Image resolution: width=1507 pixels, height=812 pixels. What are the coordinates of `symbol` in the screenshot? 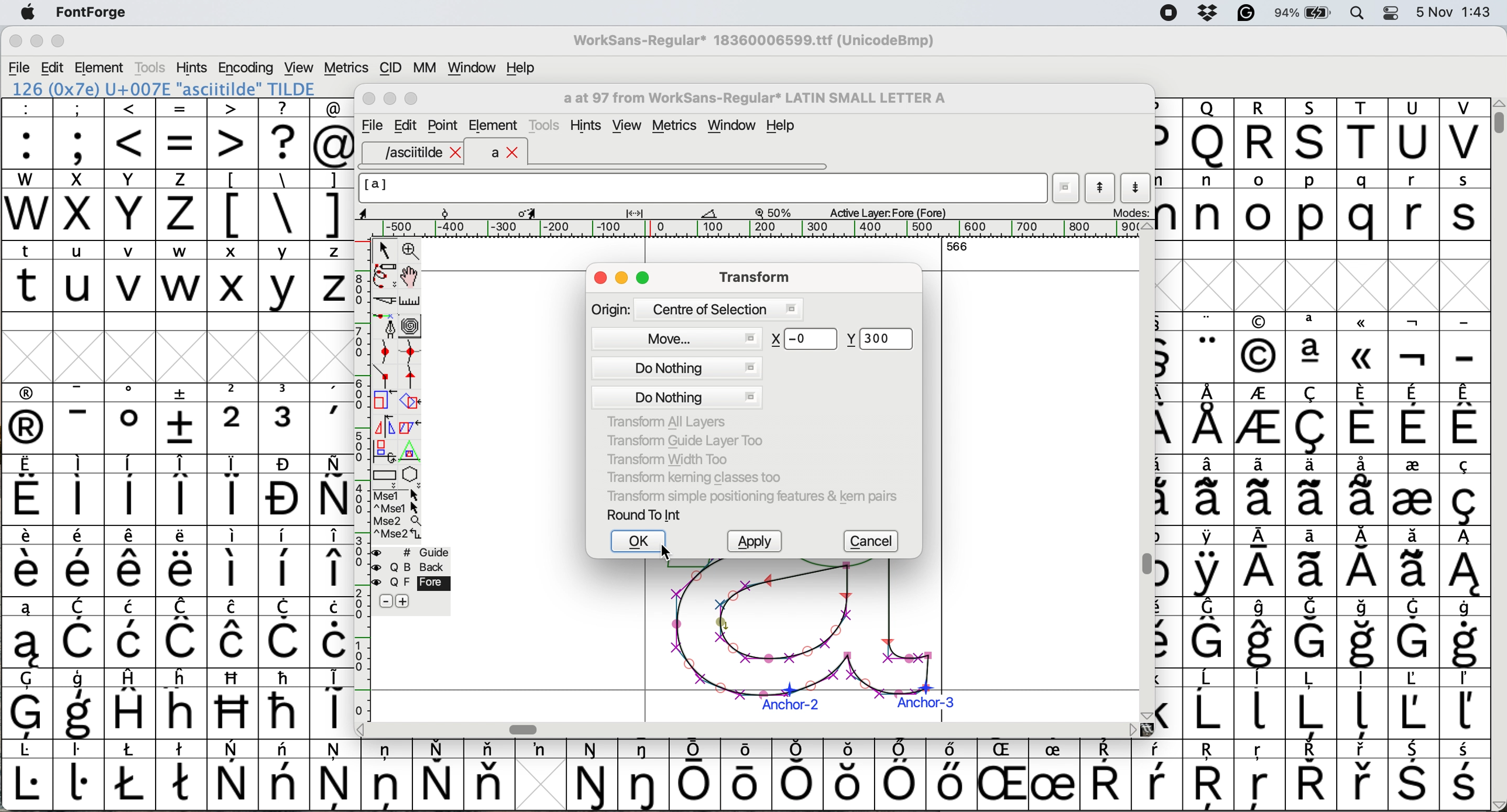 It's located at (540, 749).